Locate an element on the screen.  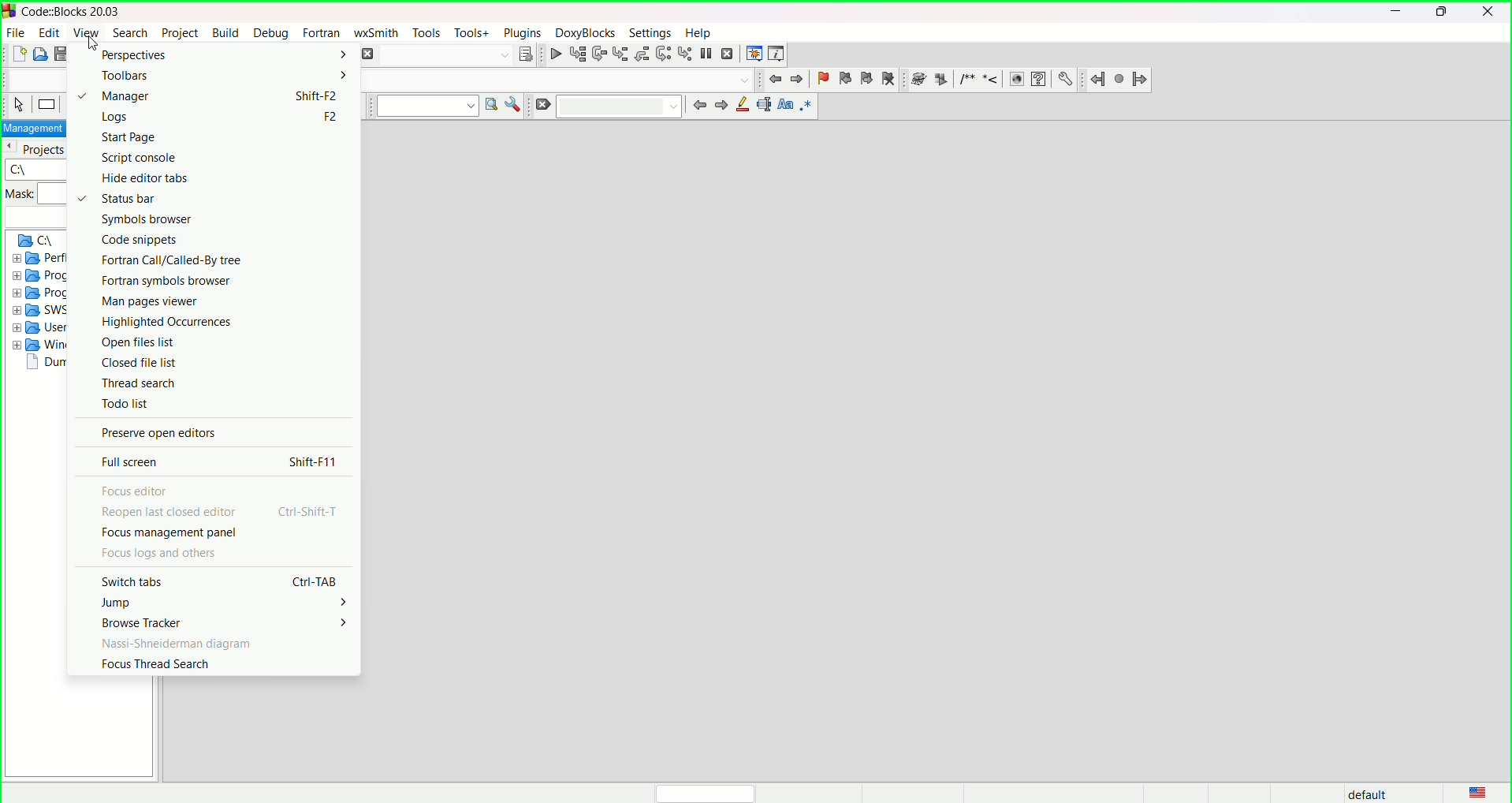
jump is located at coordinates (115, 602).